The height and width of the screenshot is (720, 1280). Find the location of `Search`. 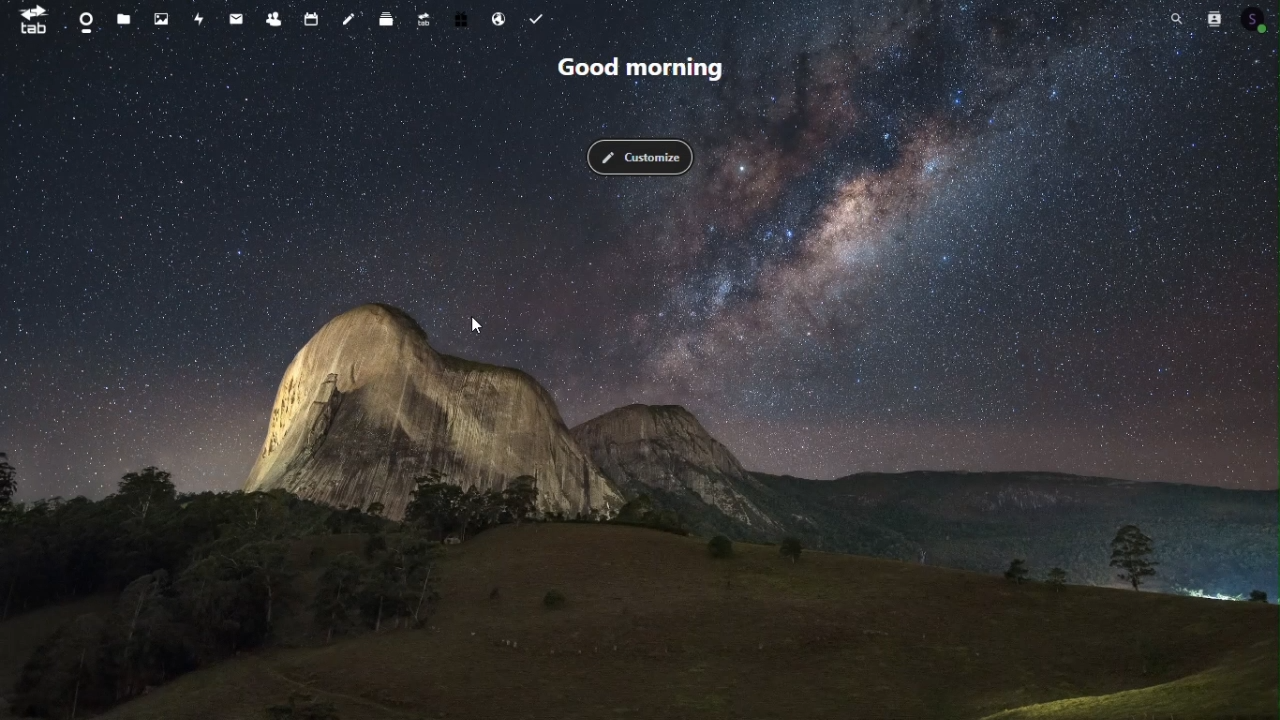

Search is located at coordinates (1178, 19).